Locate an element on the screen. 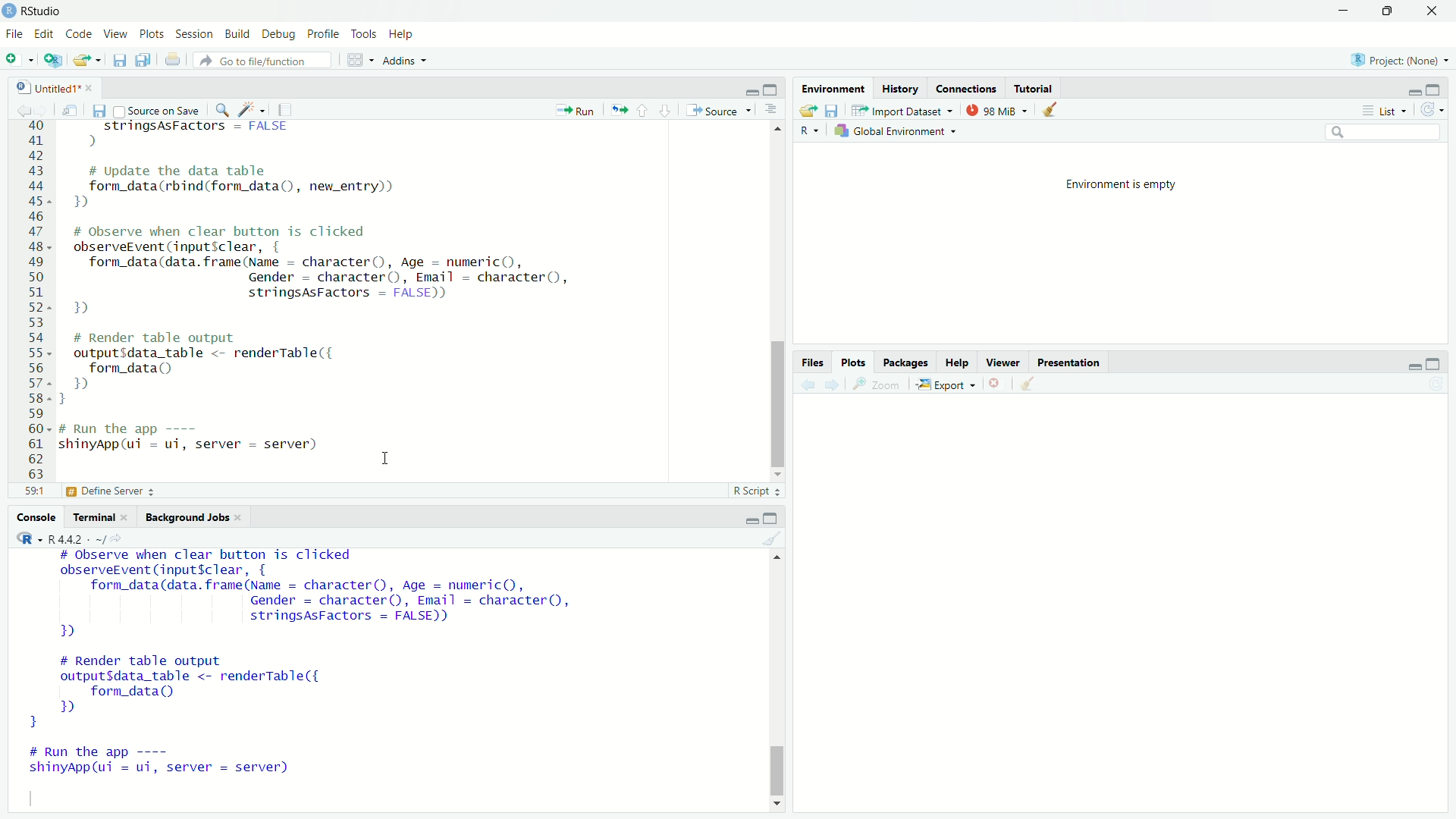 This screenshot has height=819, width=1456. go to previous section/chunk is located at coordinates (644, 110).